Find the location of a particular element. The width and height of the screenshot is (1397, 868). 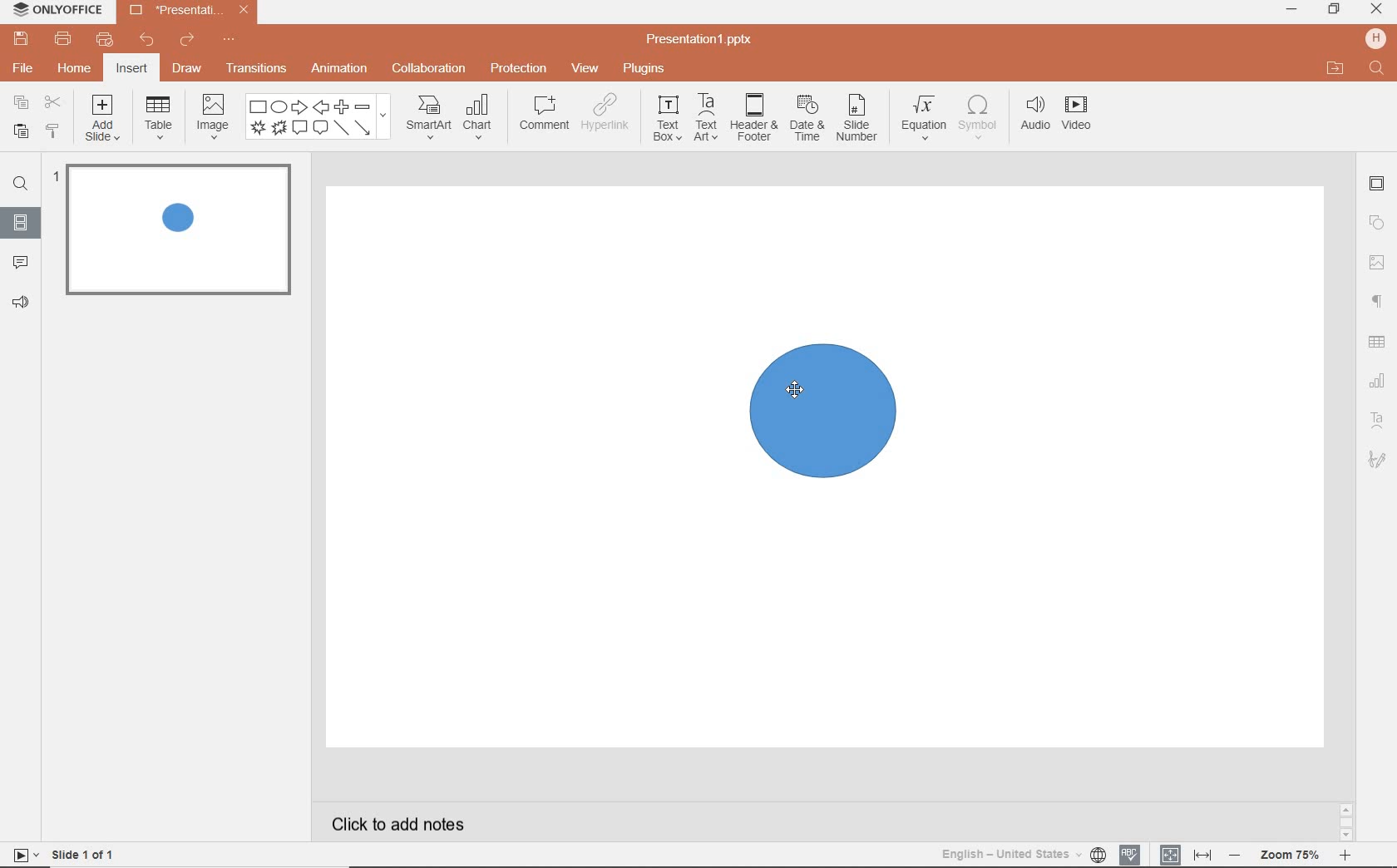

file name is located at coordinates (700, 41).